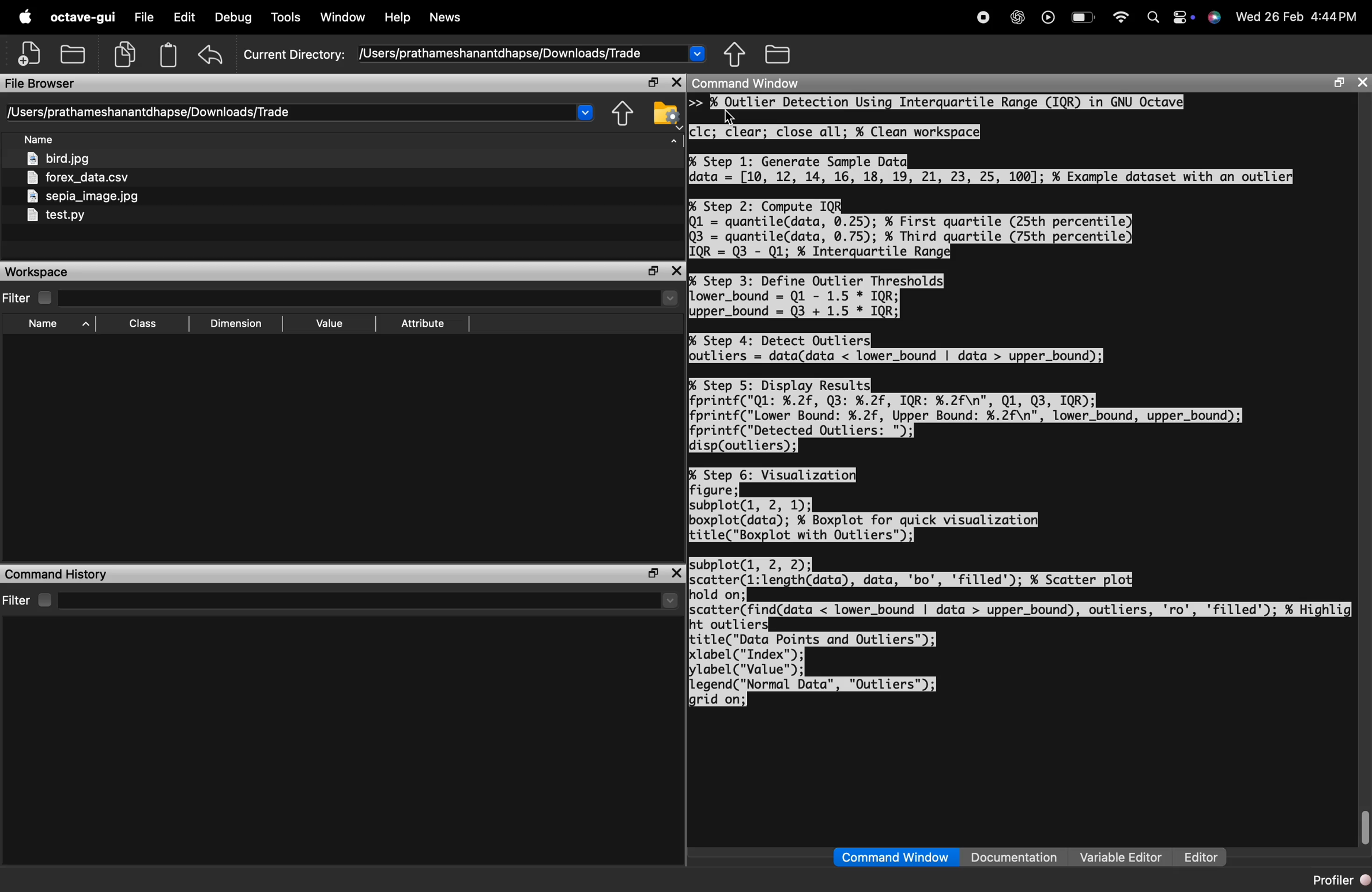 This screenshot has width=1372, height=892. I want to click on % Step 2: Compute IQR]

Ql = quantile(data, 0.25); % First quartile (25th percentile)
Q3 = quantile(data, 0.75); % Third quartile (75th percentile)
IQR = Q3 - Q1; % Interquartile Range, so click(911, 229).